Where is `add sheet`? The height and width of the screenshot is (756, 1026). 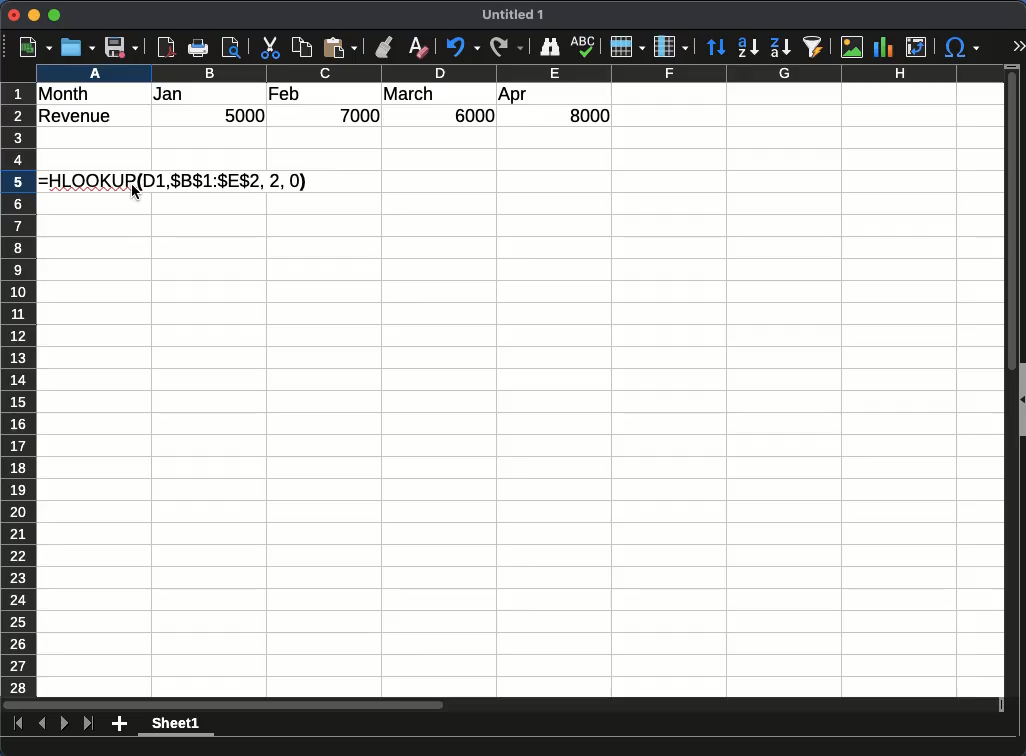
add sheet is located at coordinates (119, 724).